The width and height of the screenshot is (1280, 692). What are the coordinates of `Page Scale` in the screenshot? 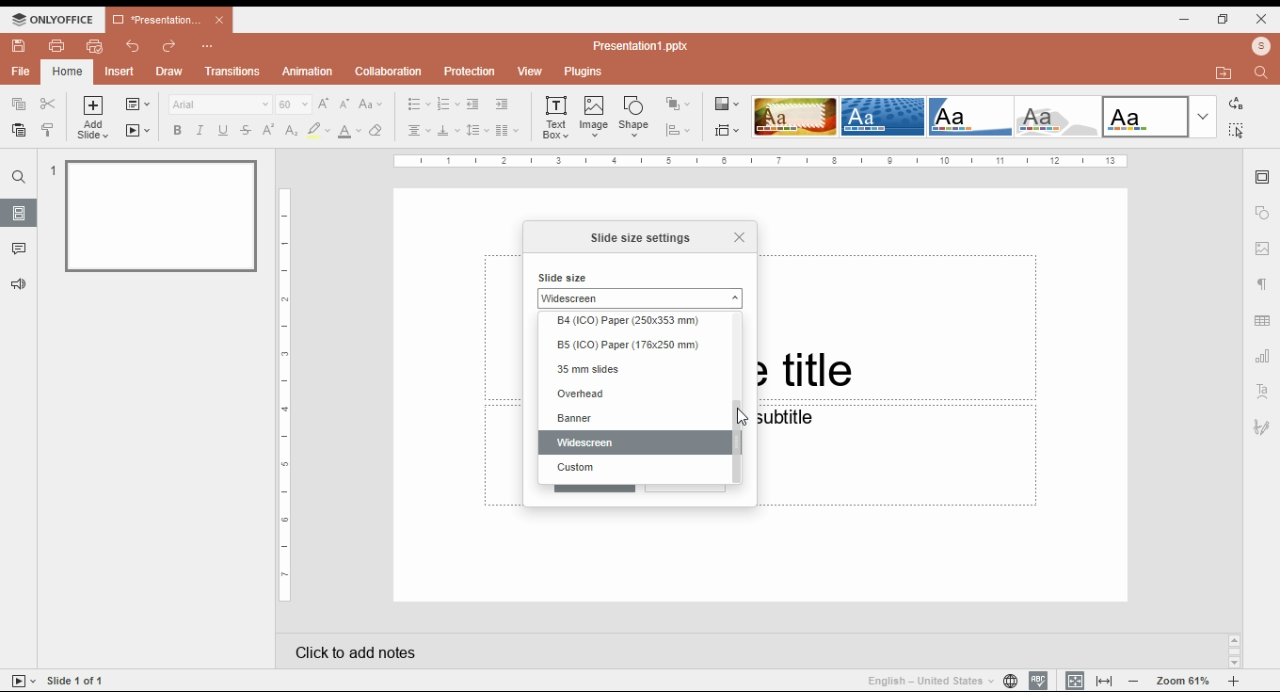 It's located at (286, 396).